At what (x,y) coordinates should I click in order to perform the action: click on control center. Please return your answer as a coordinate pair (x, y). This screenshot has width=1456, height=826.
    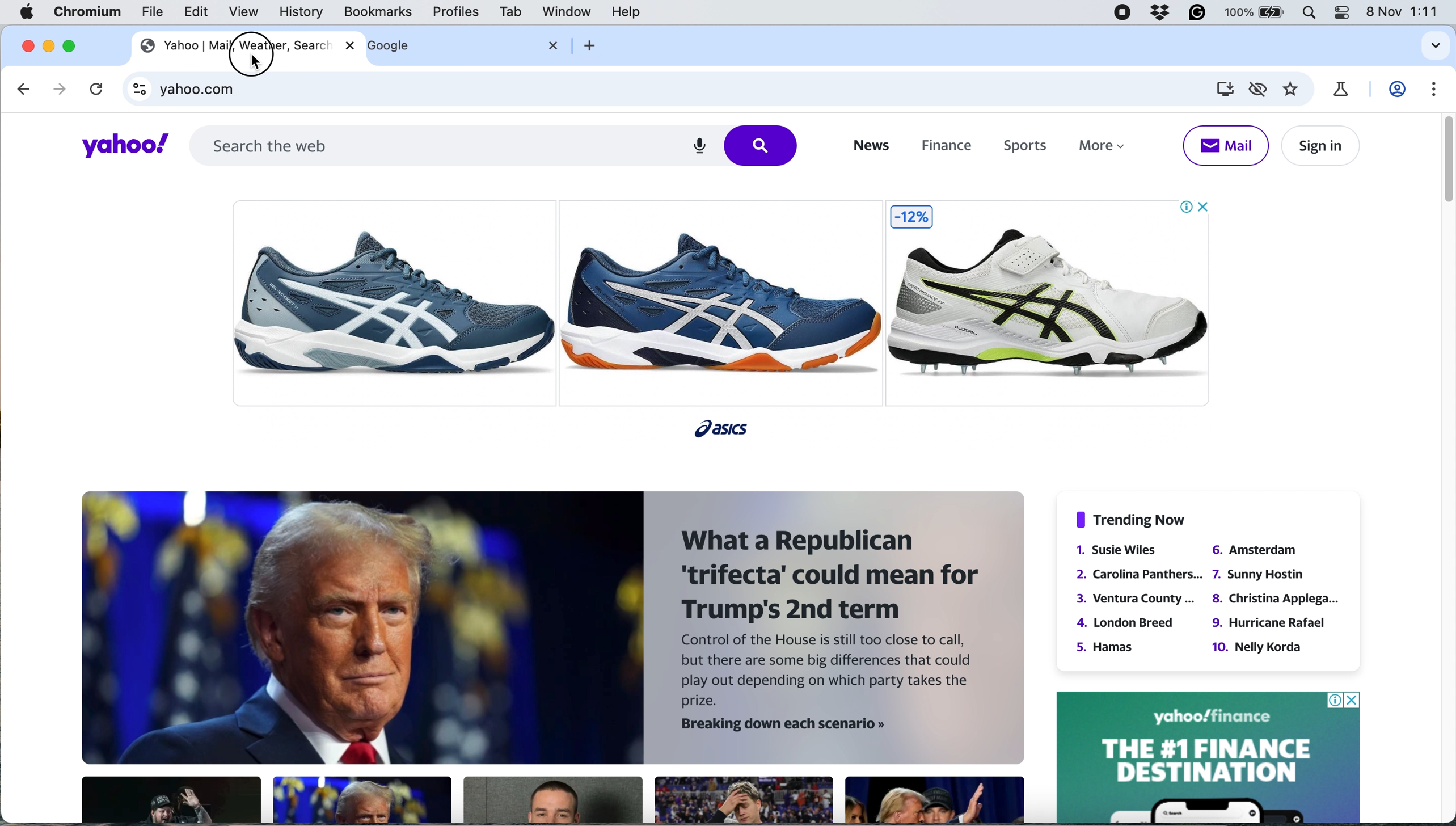
    Looking at the image, I should click on (1343, 12).